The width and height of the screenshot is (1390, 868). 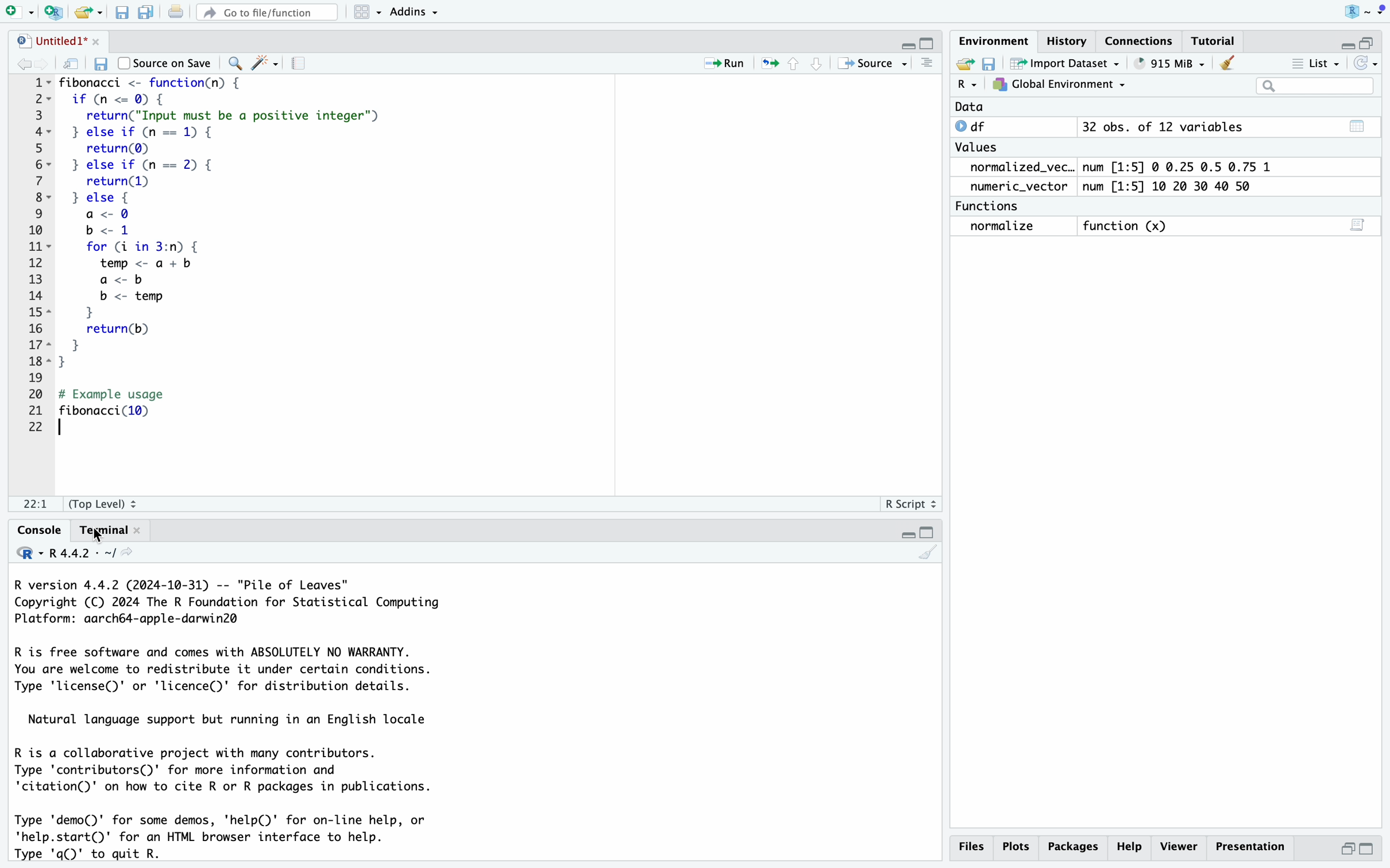 What do you see at coordinates (129, 404) in the screenshot?
I see `print fibonacci` at bounding box center [129, 404].